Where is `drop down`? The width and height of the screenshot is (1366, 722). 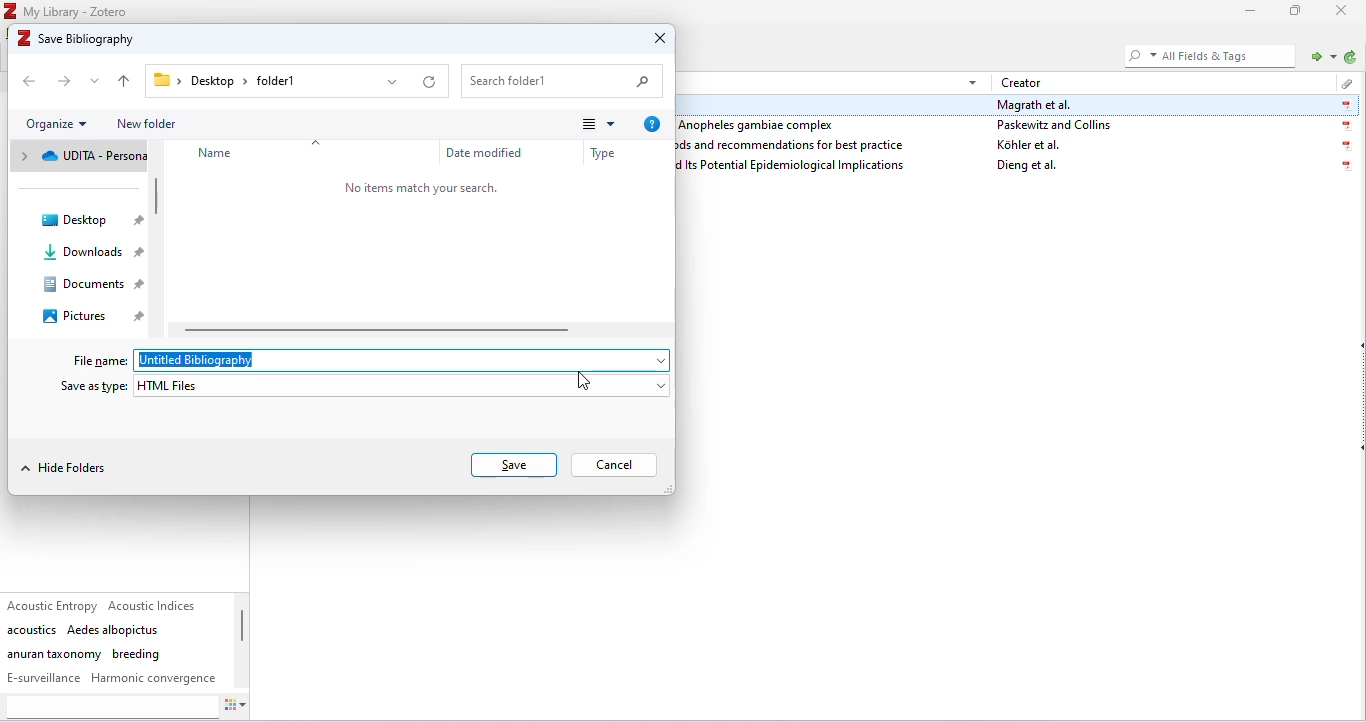
drop down is located at coordinates (972, 81).